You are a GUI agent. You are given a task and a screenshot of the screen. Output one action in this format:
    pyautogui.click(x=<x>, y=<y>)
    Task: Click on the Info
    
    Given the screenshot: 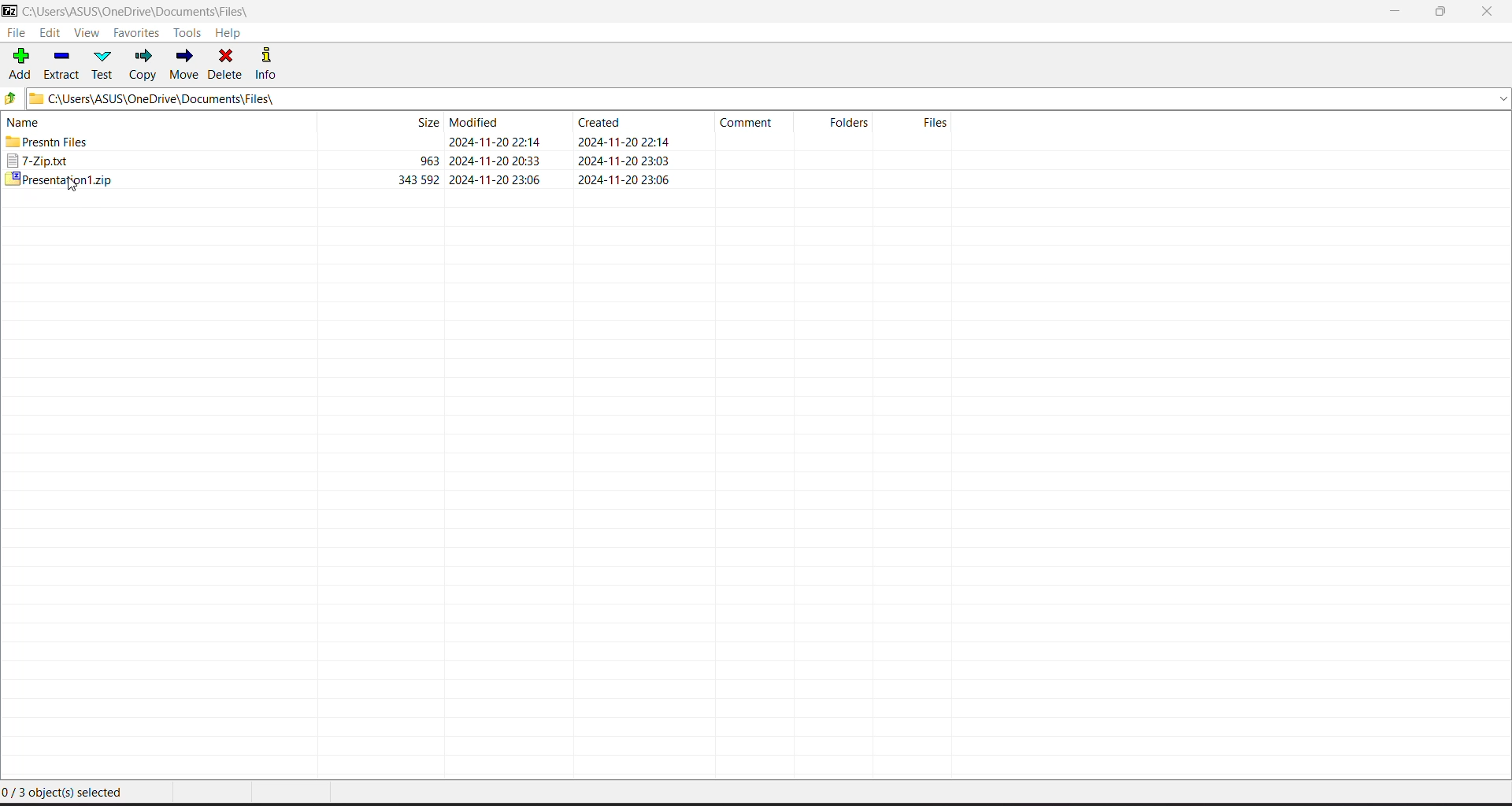 What is the action you would take?
    pyautogui.click(x=272, y=63)
    